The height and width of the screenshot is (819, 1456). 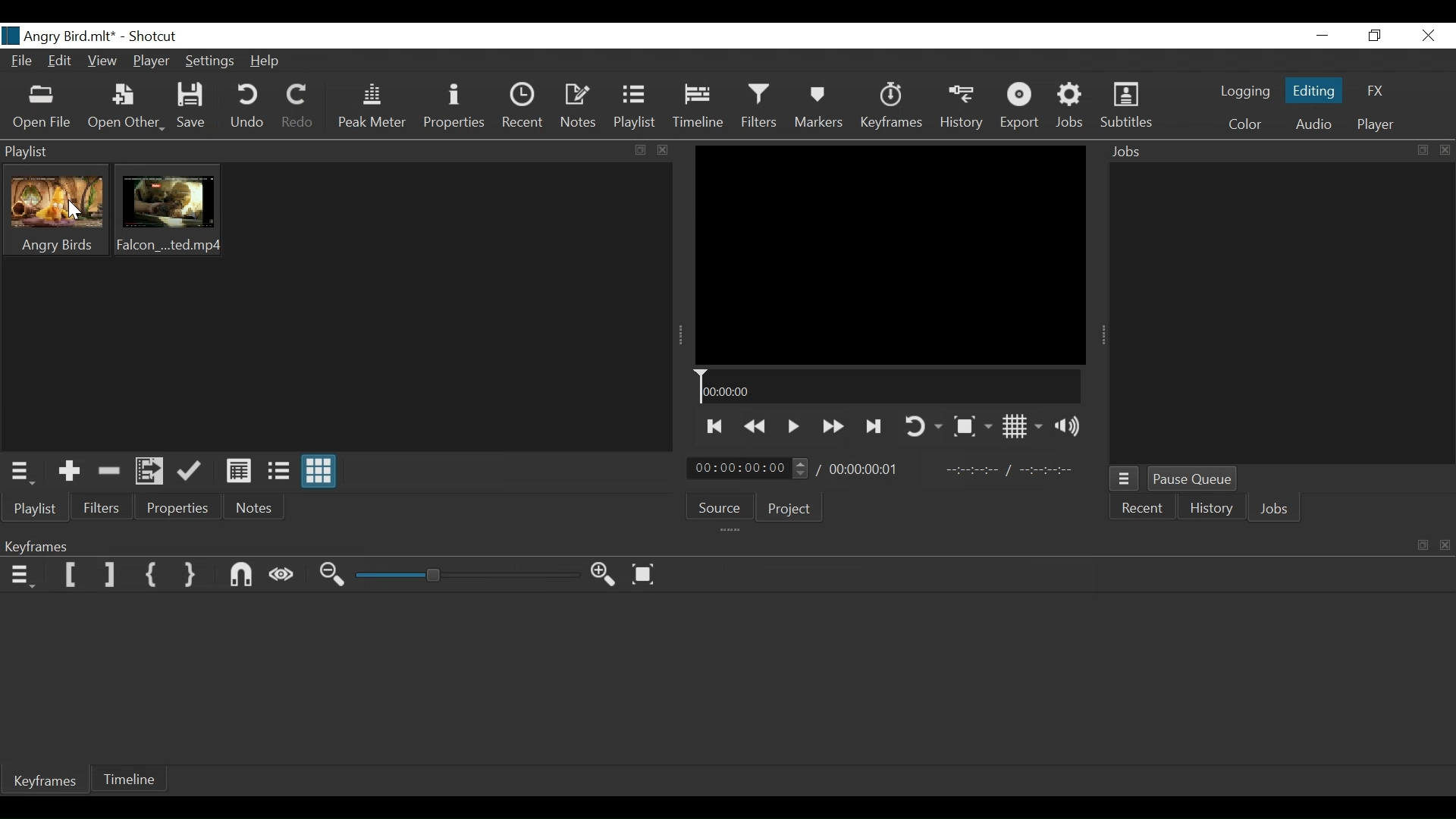 What do you see at coordinates (1144, 510) in the screenshot?
I see `Recent` at bounding box center [1144, 510].